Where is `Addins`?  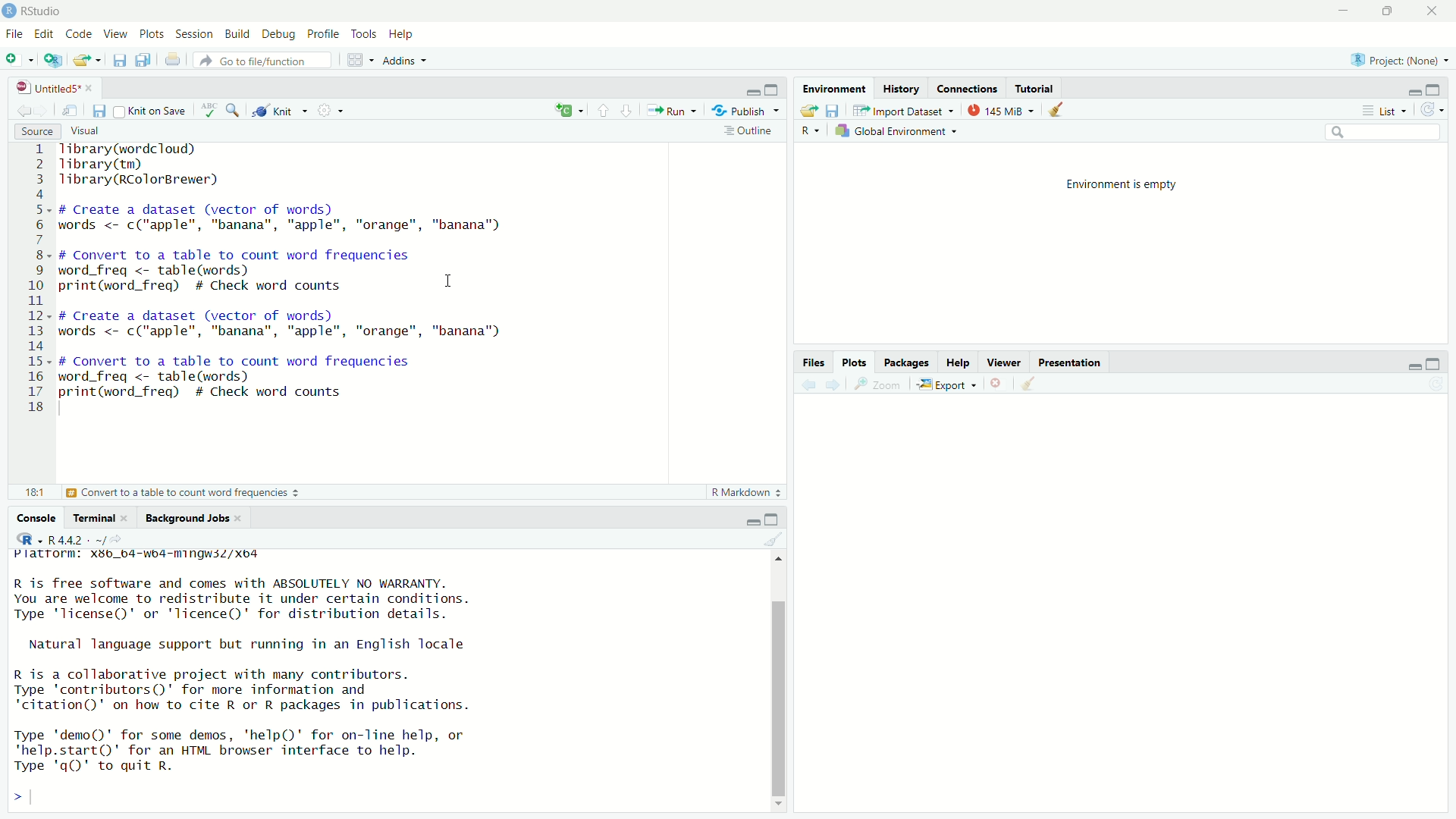 Addins is located at coordinates (405, 61).